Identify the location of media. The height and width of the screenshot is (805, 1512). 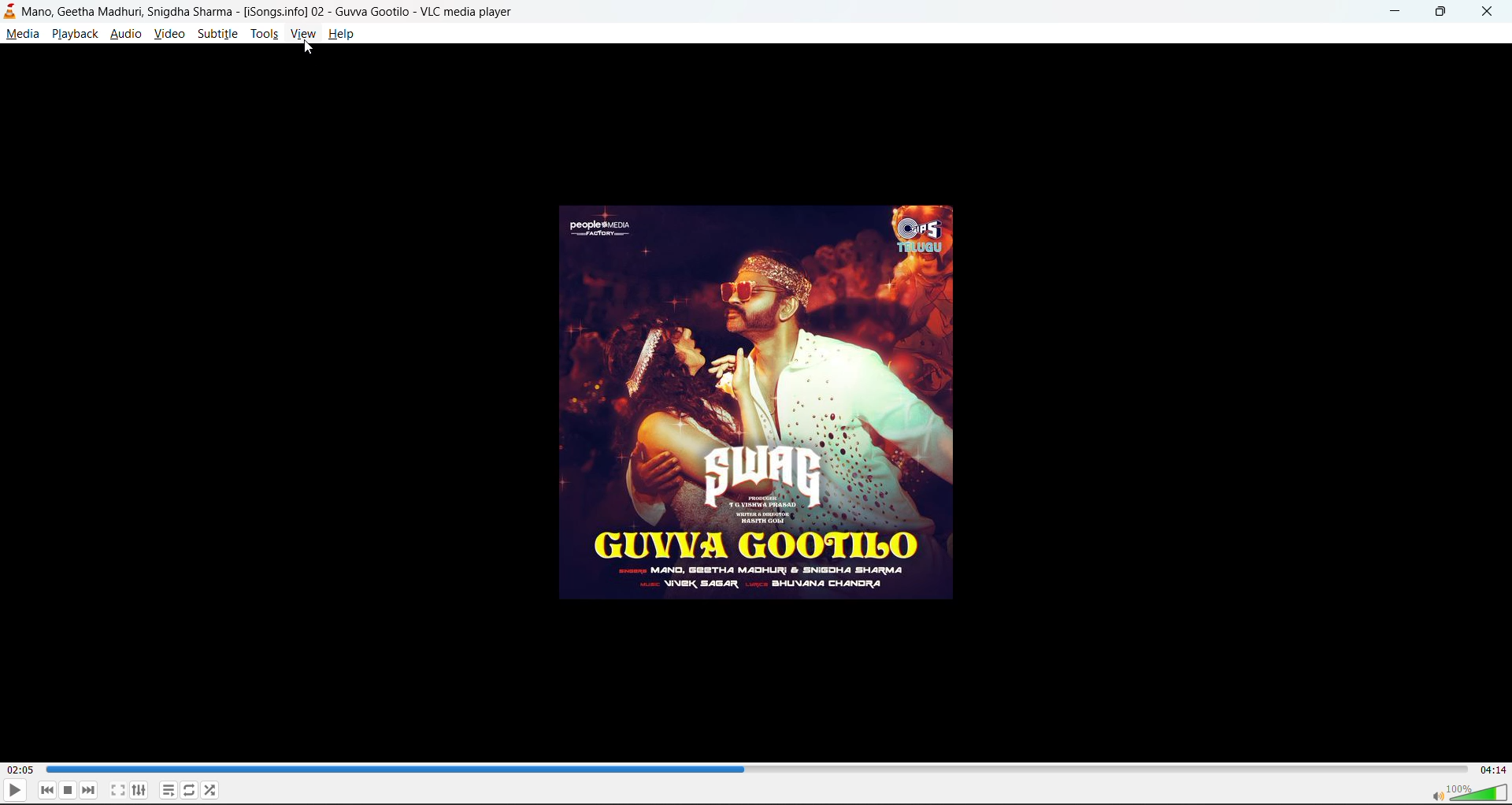
(22, 33).